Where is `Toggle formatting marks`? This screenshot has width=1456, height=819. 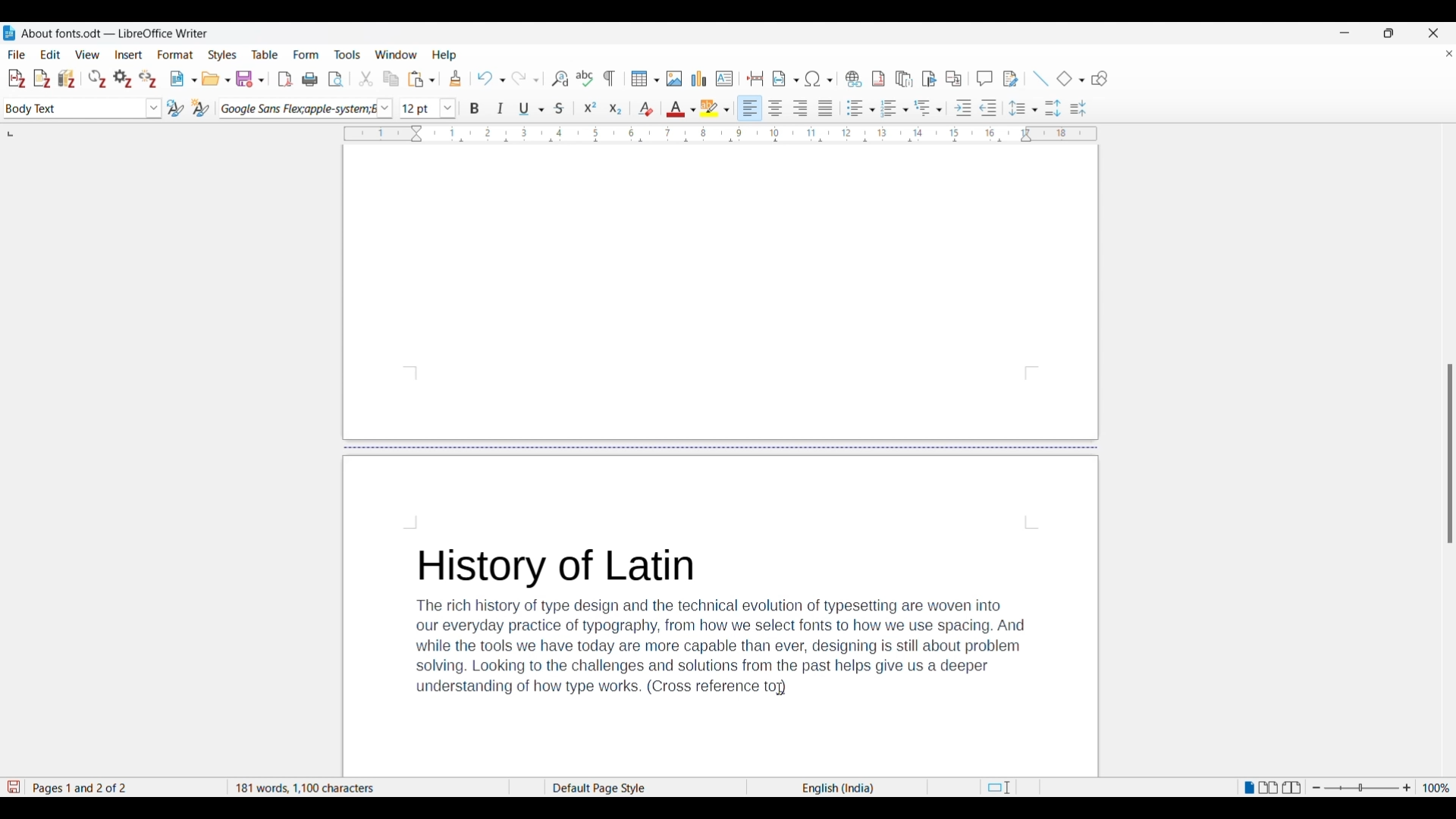 Toggle formatting marks is located at coordinates (610, 78).